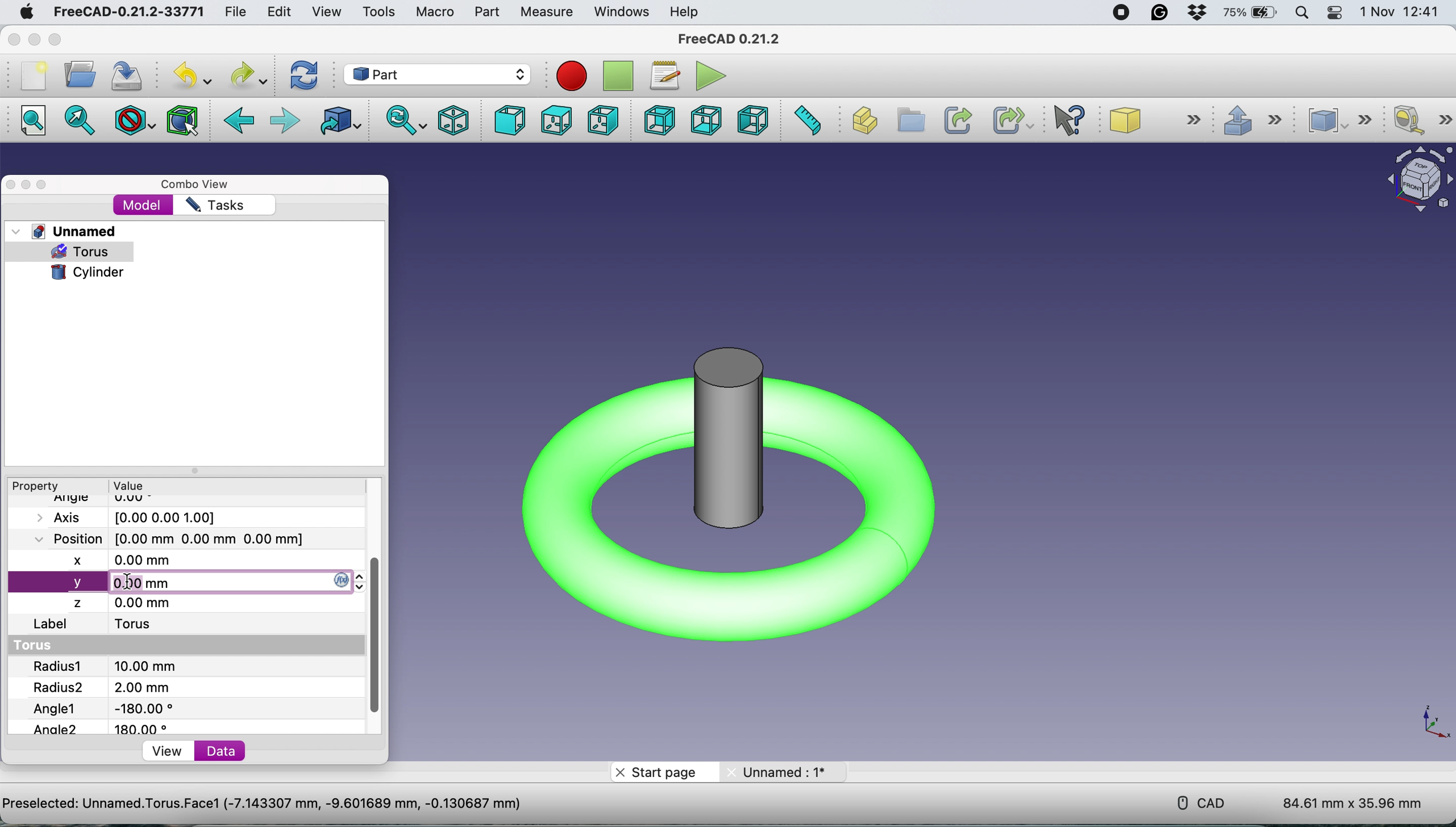  Describe the element at coordinates (572, 75) in the screenshot. I see `recroding macros` at that location.